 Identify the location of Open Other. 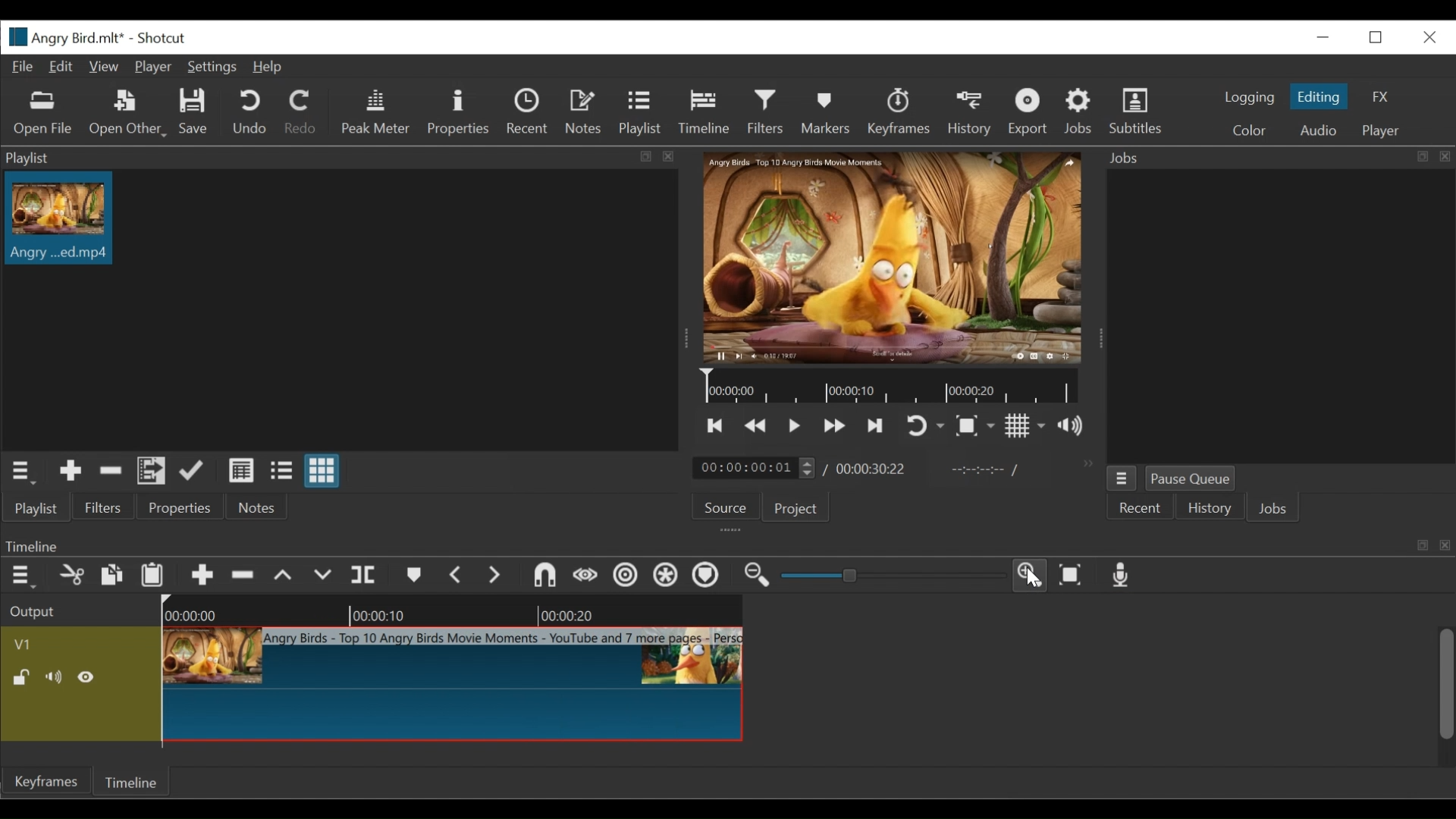
(129, 113).